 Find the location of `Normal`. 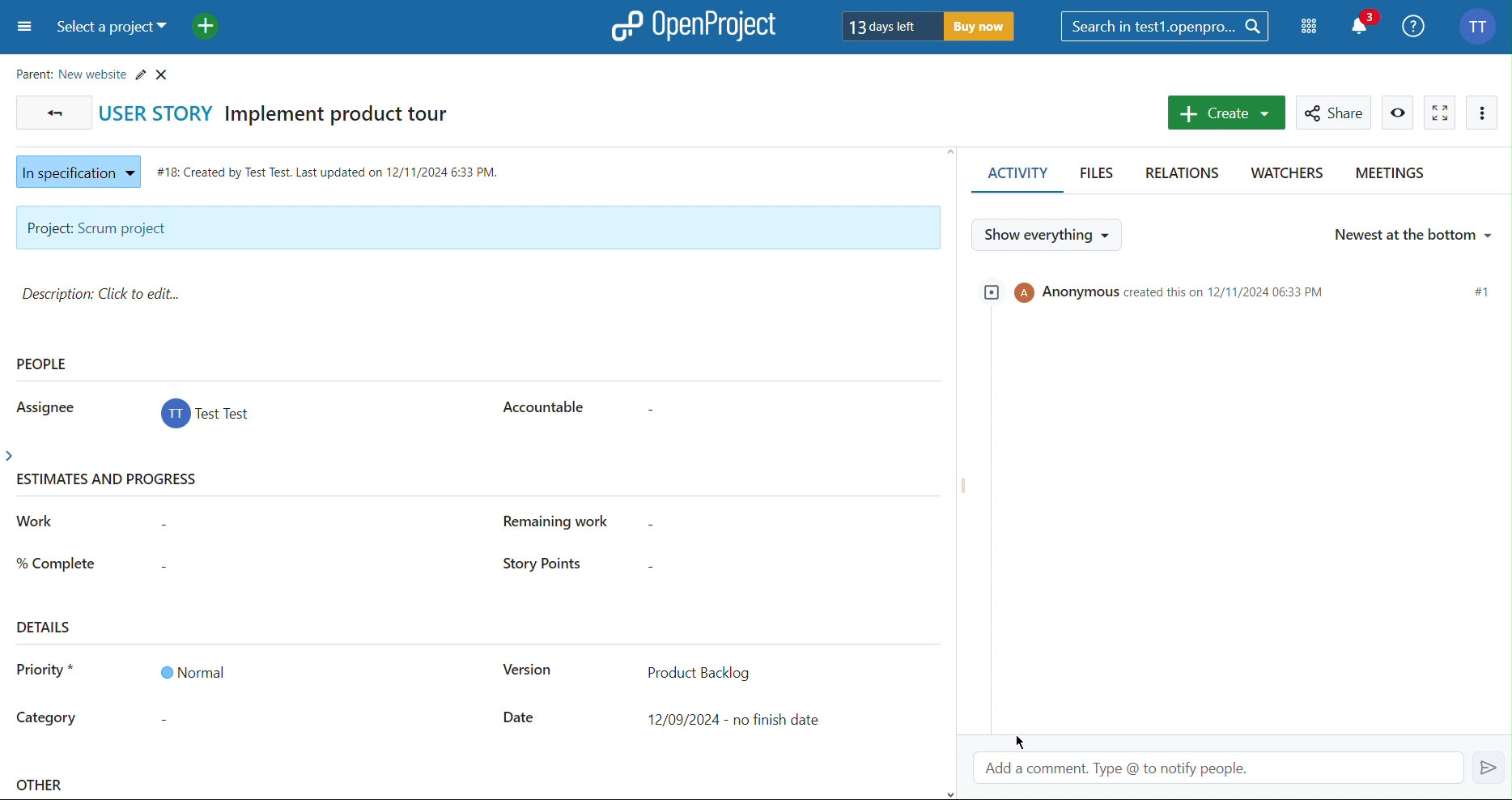

Normal is located at coordinates (192, 672).